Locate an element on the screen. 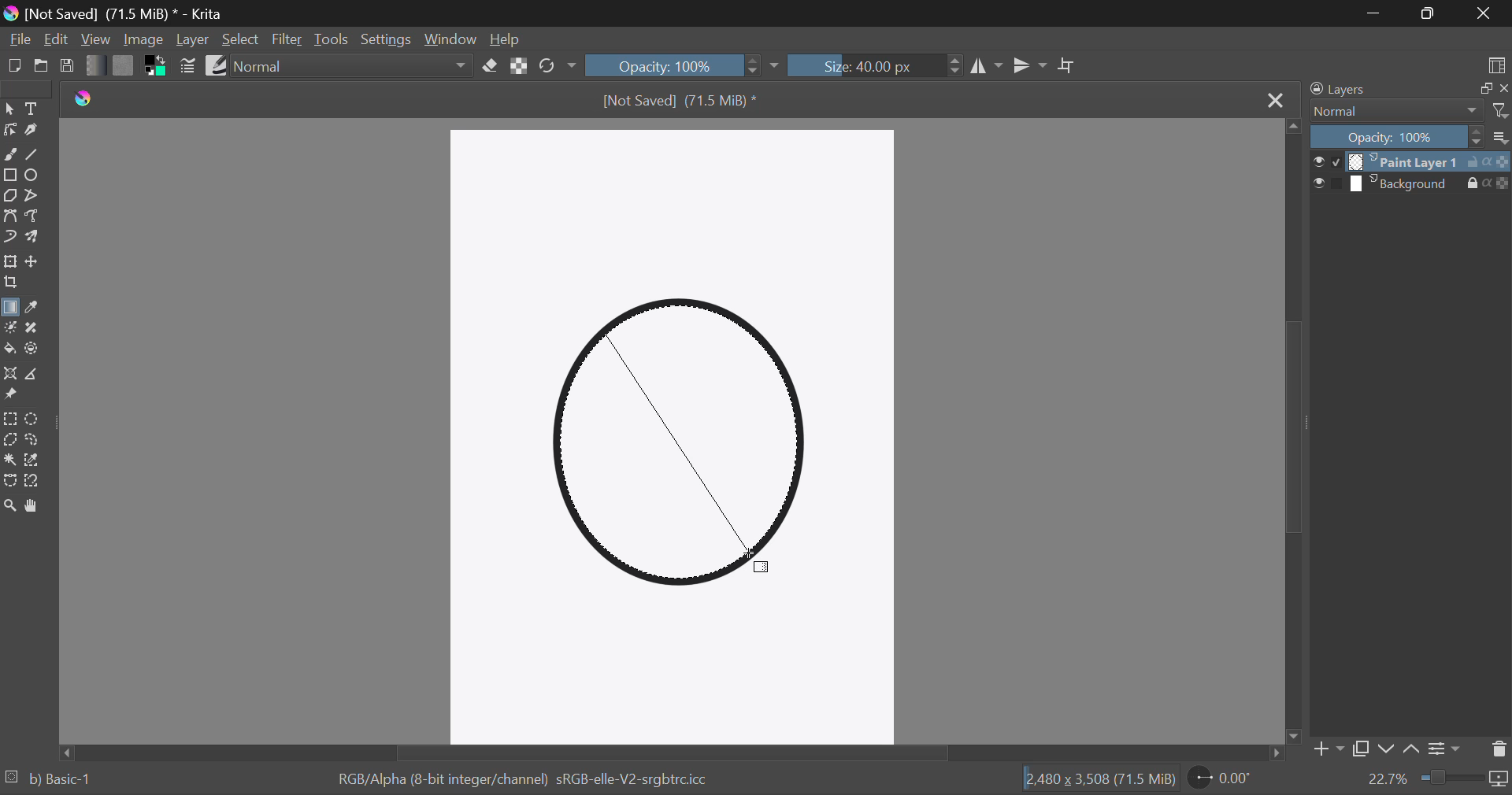 The height and width of the screenshot is (795, 1512). Colors in use is located at coordinates (156, 67).